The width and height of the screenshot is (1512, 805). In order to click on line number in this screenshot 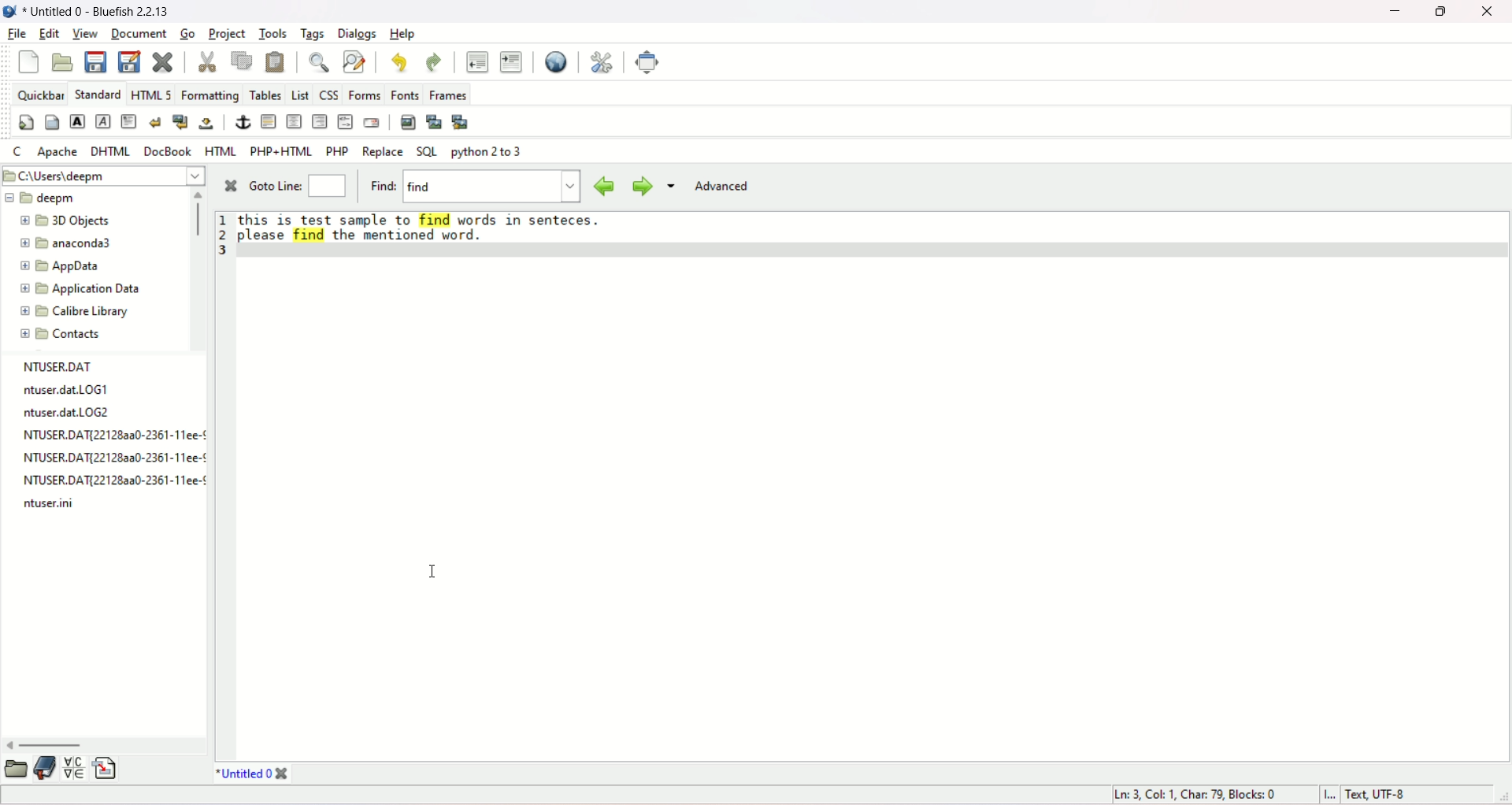, I will do `click(221, 236)`.